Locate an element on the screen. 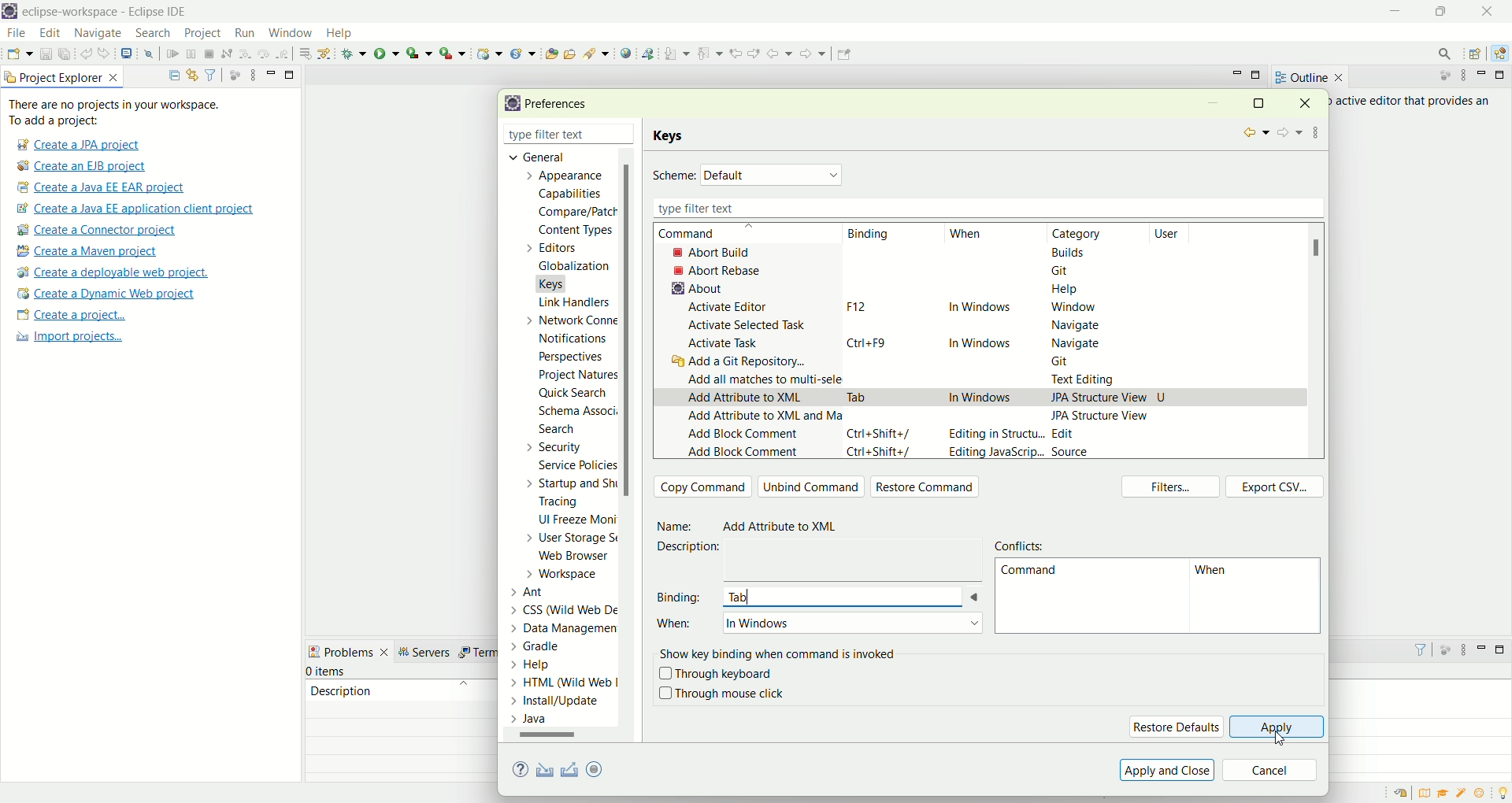 This screenshot has width=1512, height=803. add all matches to multi-selection is located at coordinates (762, 378).